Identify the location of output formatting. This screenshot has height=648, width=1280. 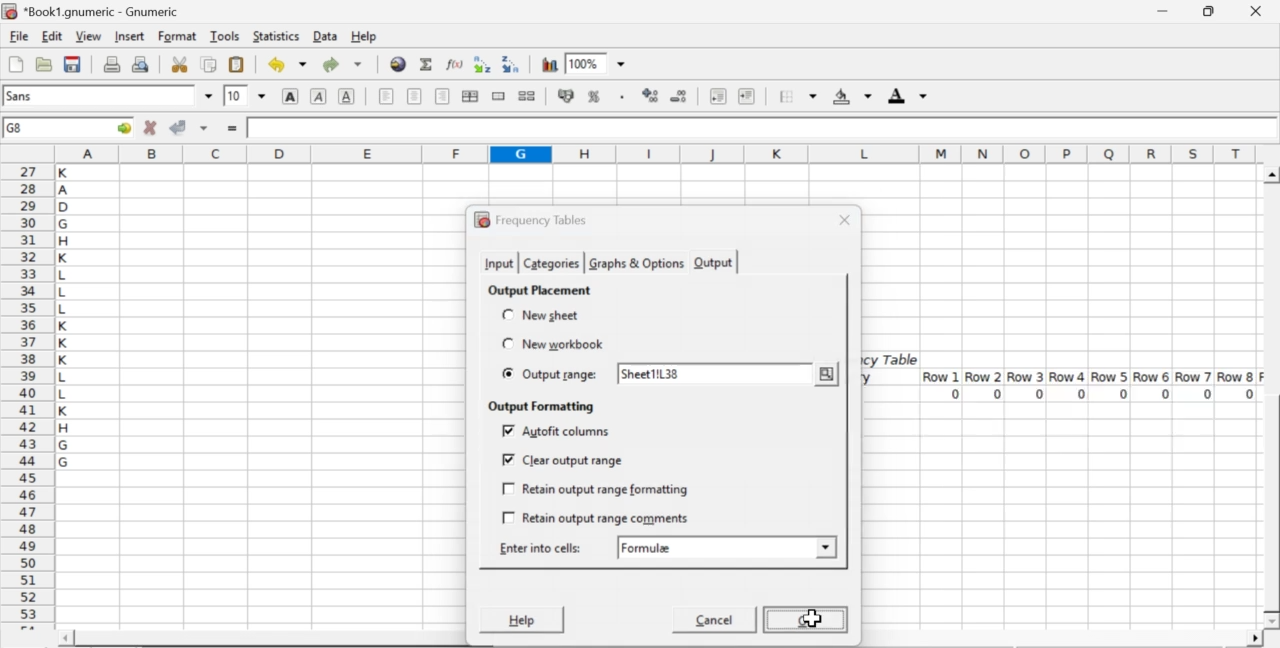
(537, 407).